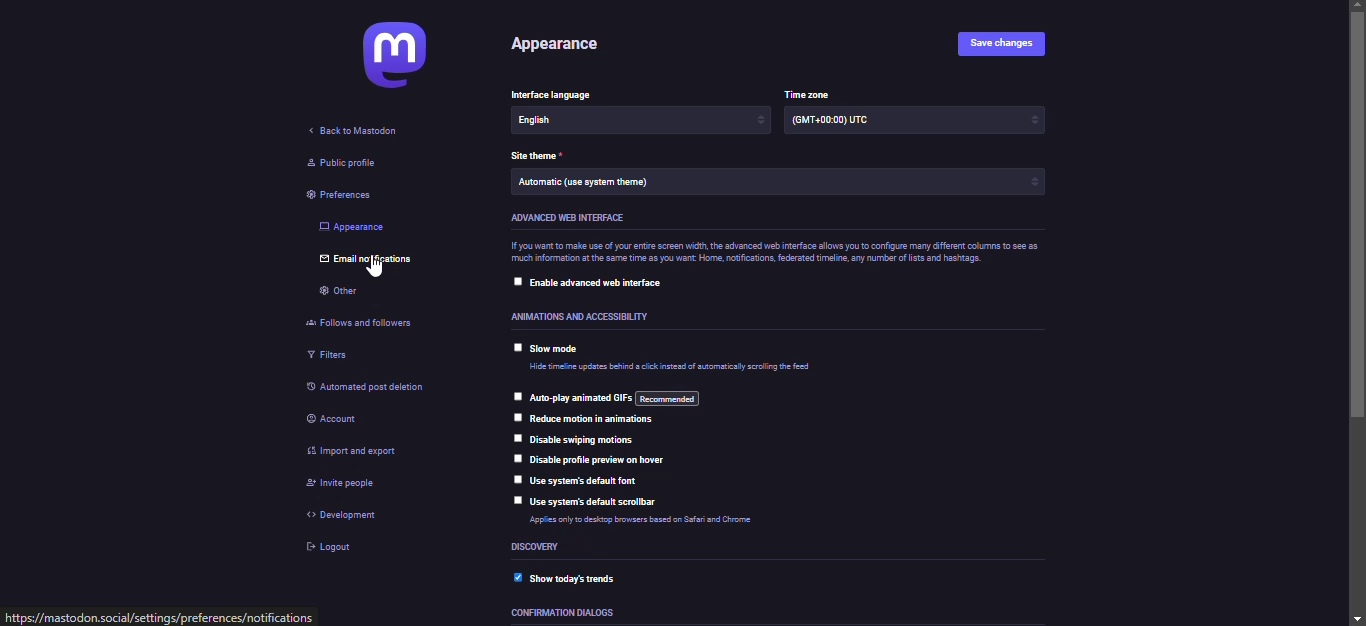 This screenshot has width=1366, height=626. What do you see at coordinates (363, 326) in the screenshot?
I see `follows and followers` at bounding box center [363, 326].